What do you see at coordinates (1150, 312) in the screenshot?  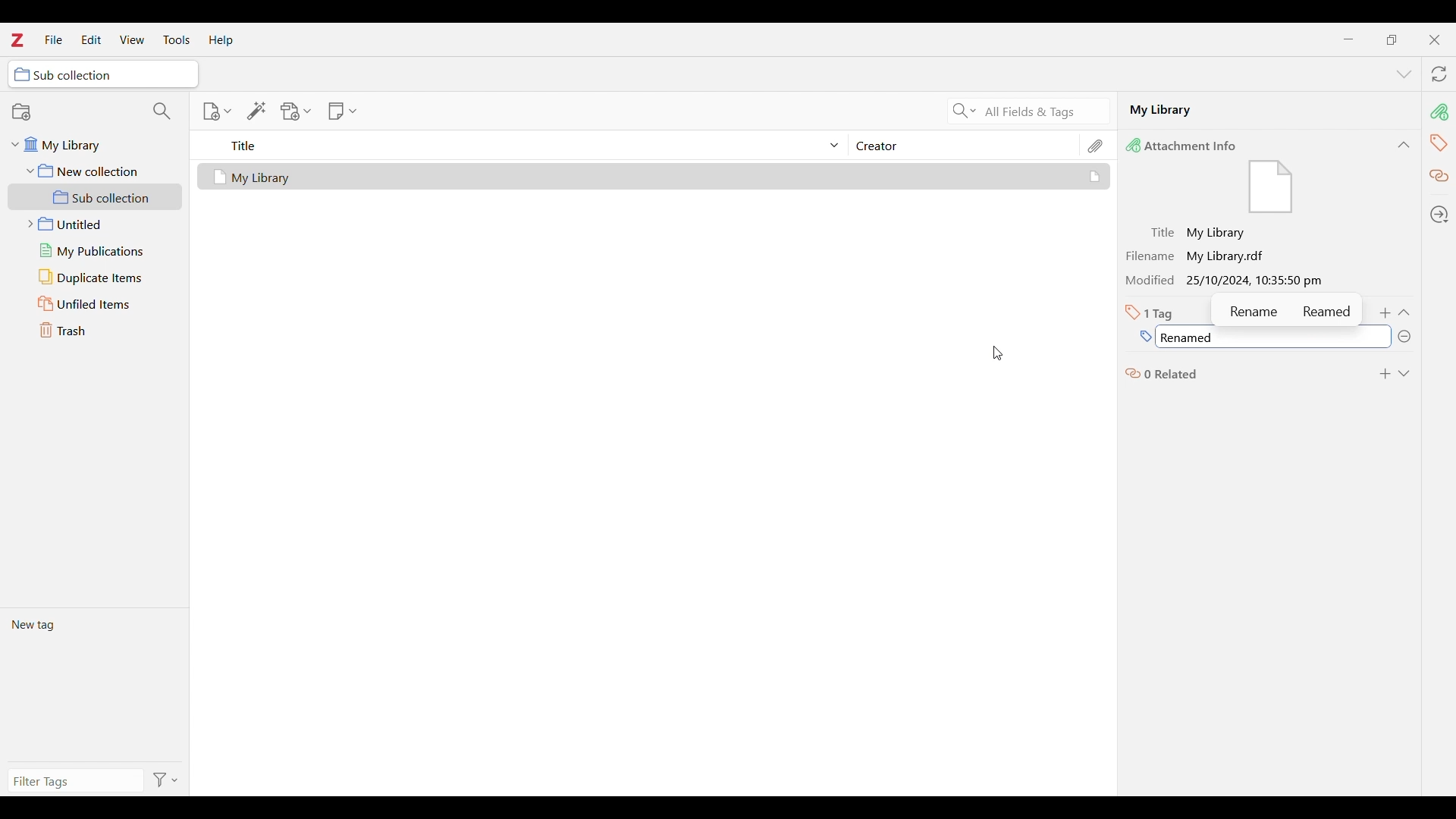 I see `Total number of tags` at bounding box center [1150, 312].